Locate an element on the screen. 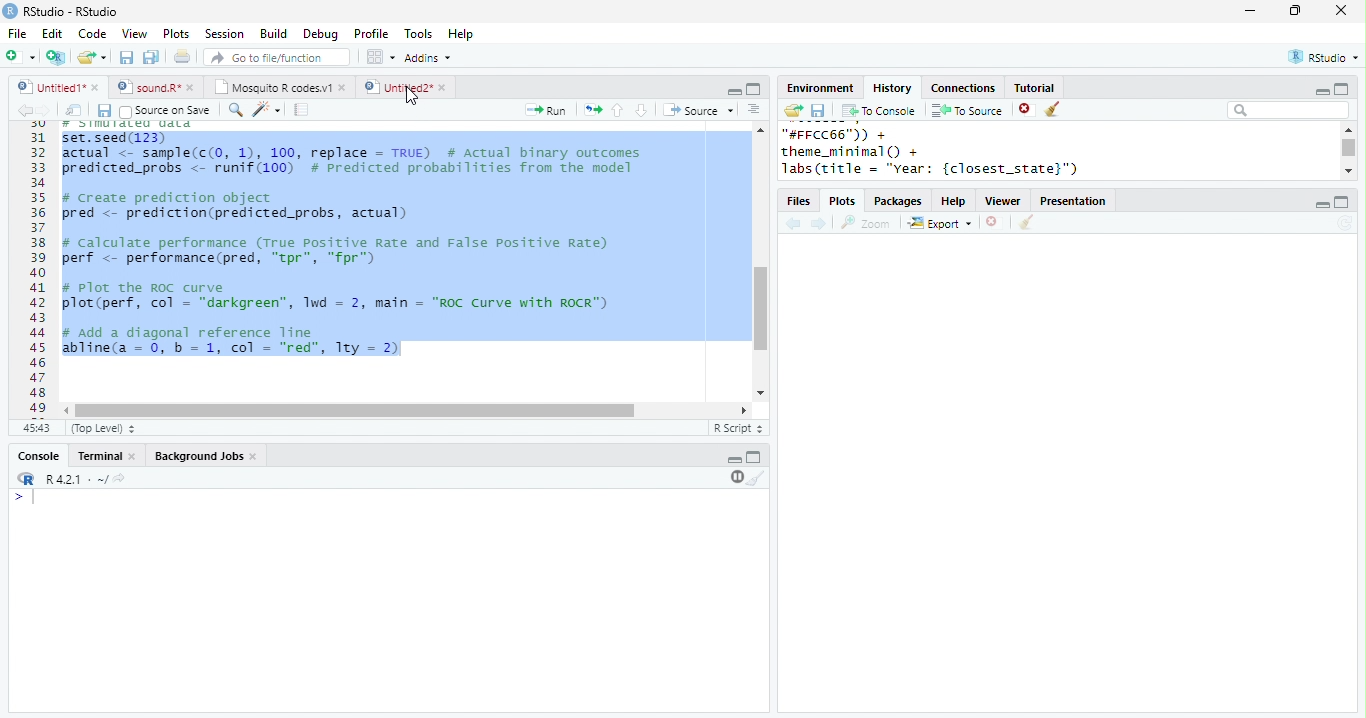 This screenshot has width=1366, height=718. Source is located at coordinates (700, 110).